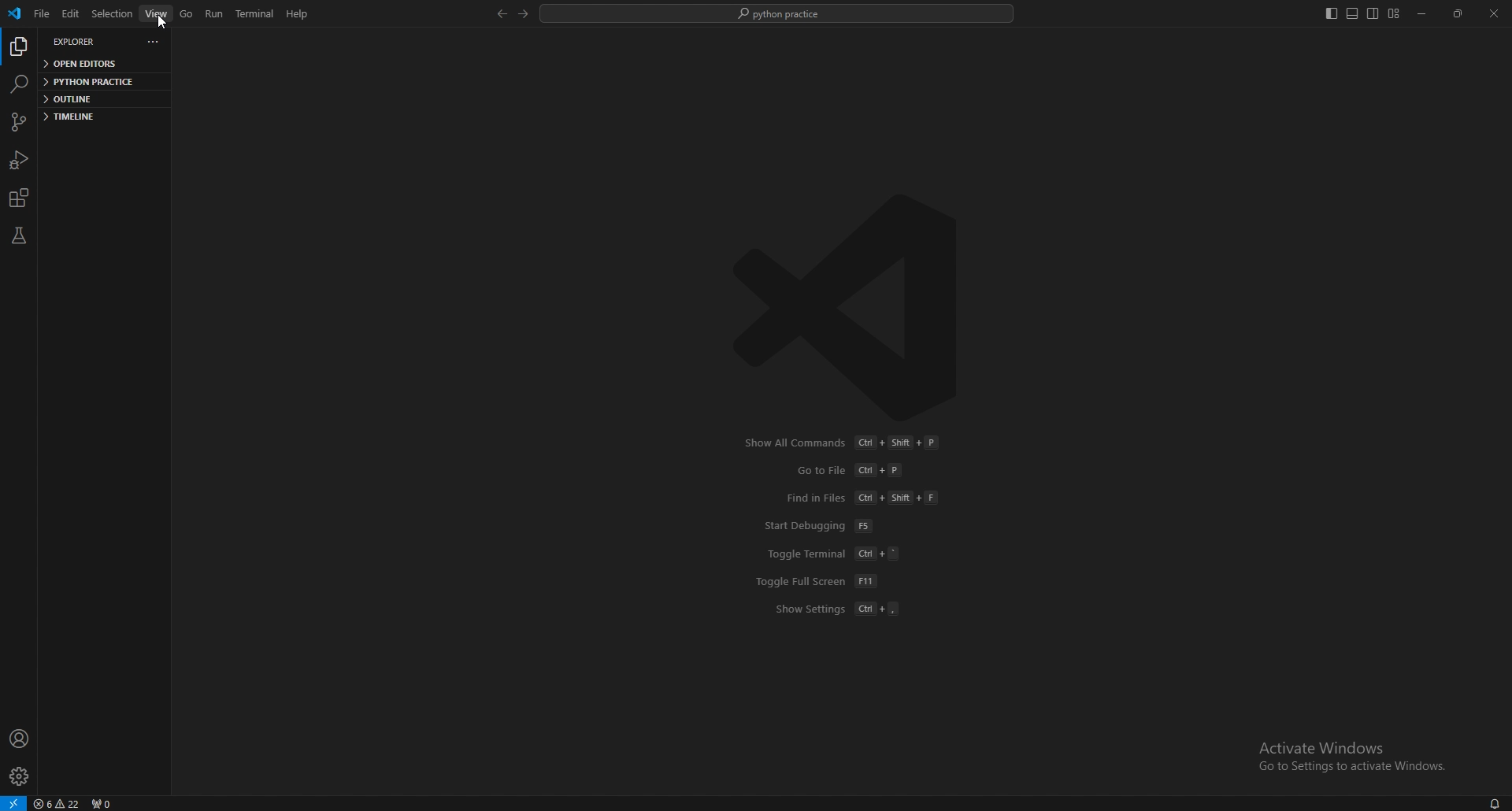 This screenshot has height=811, width=1512. Describe the element at coordinates (58, 803) in the screenshot. I see `warnings` at that location.